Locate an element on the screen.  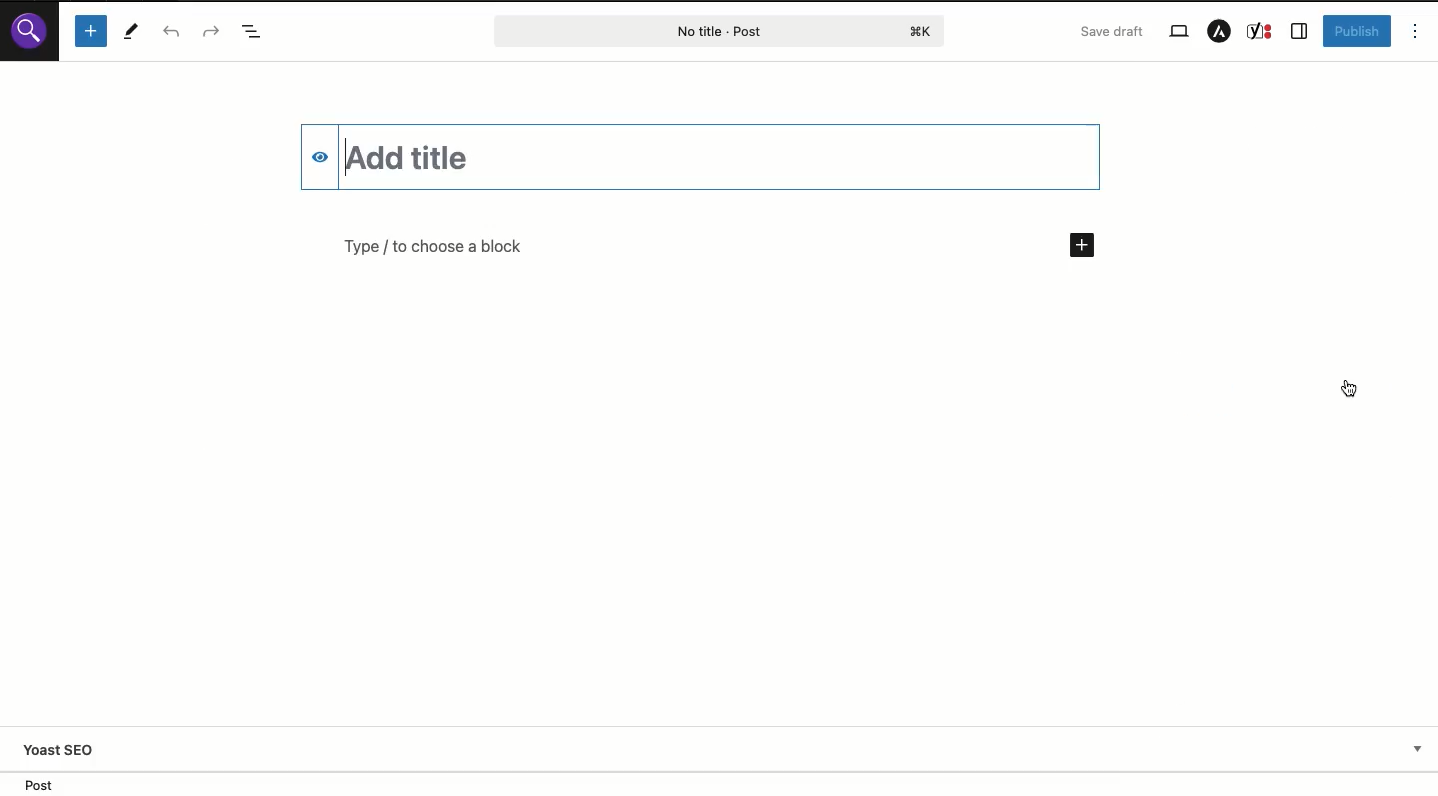
Publish is located at coordinates (1355, 31).